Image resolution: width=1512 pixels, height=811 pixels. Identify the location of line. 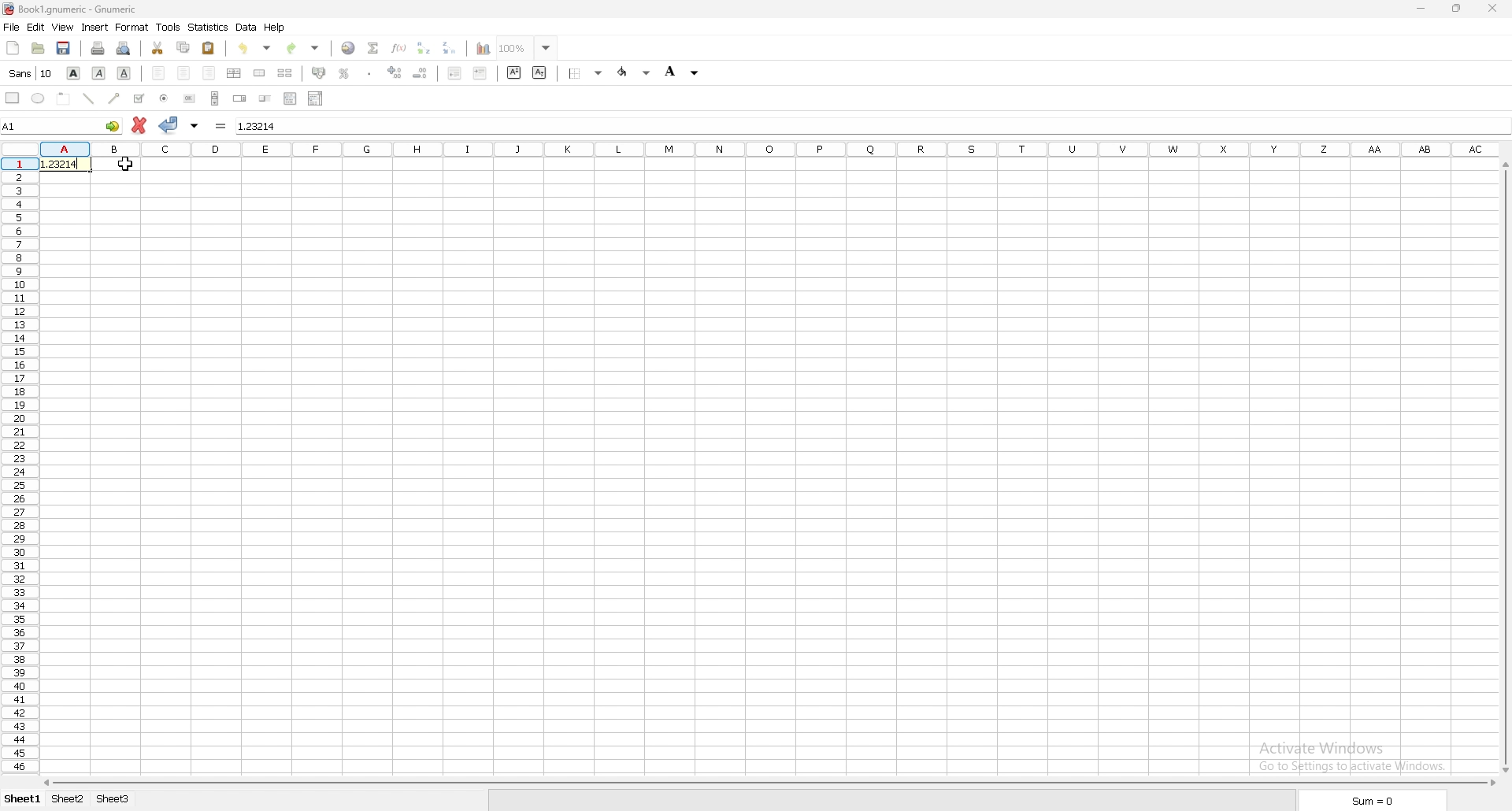
(88, 98).